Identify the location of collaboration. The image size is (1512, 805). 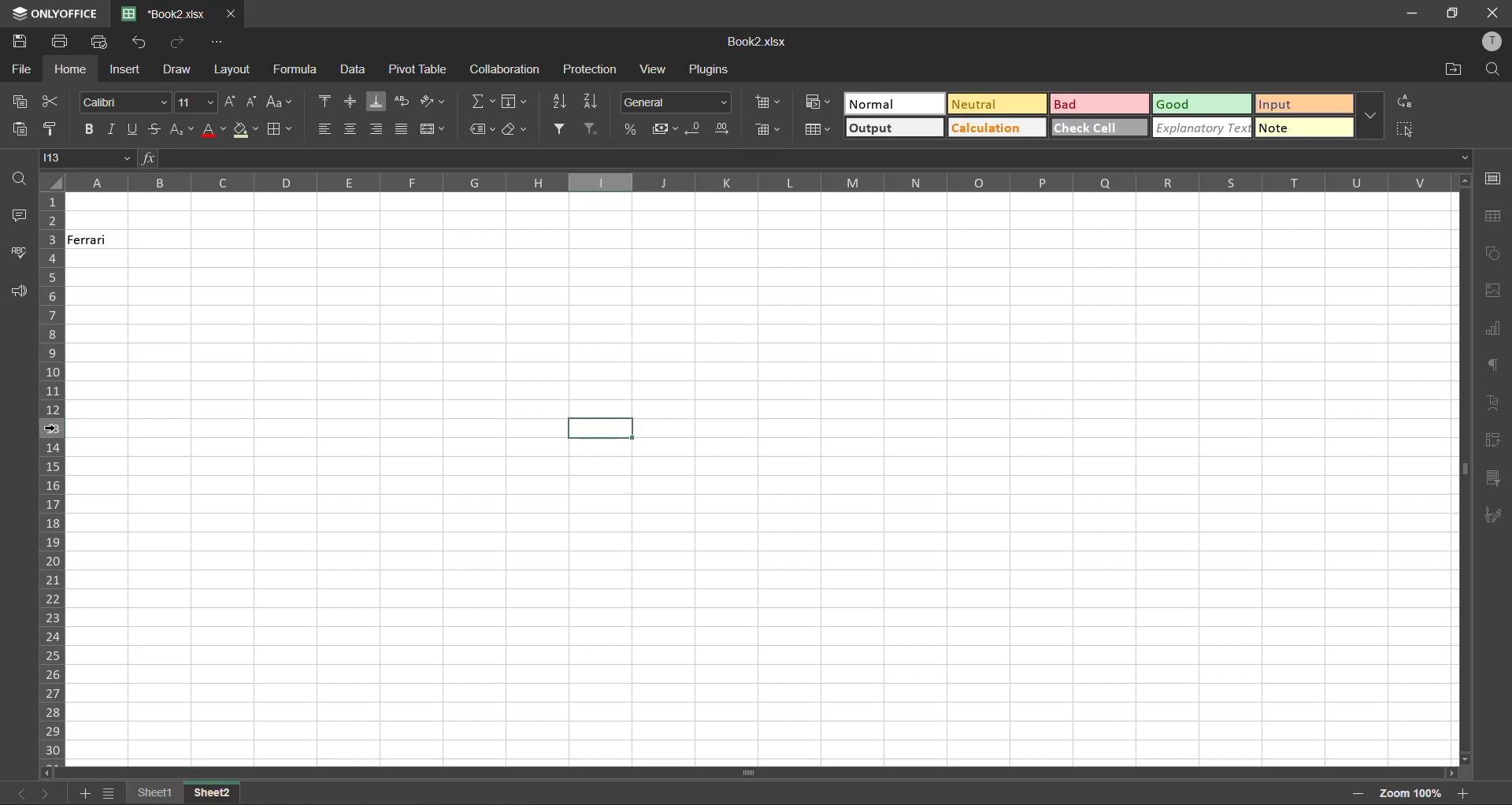
(504, 68).